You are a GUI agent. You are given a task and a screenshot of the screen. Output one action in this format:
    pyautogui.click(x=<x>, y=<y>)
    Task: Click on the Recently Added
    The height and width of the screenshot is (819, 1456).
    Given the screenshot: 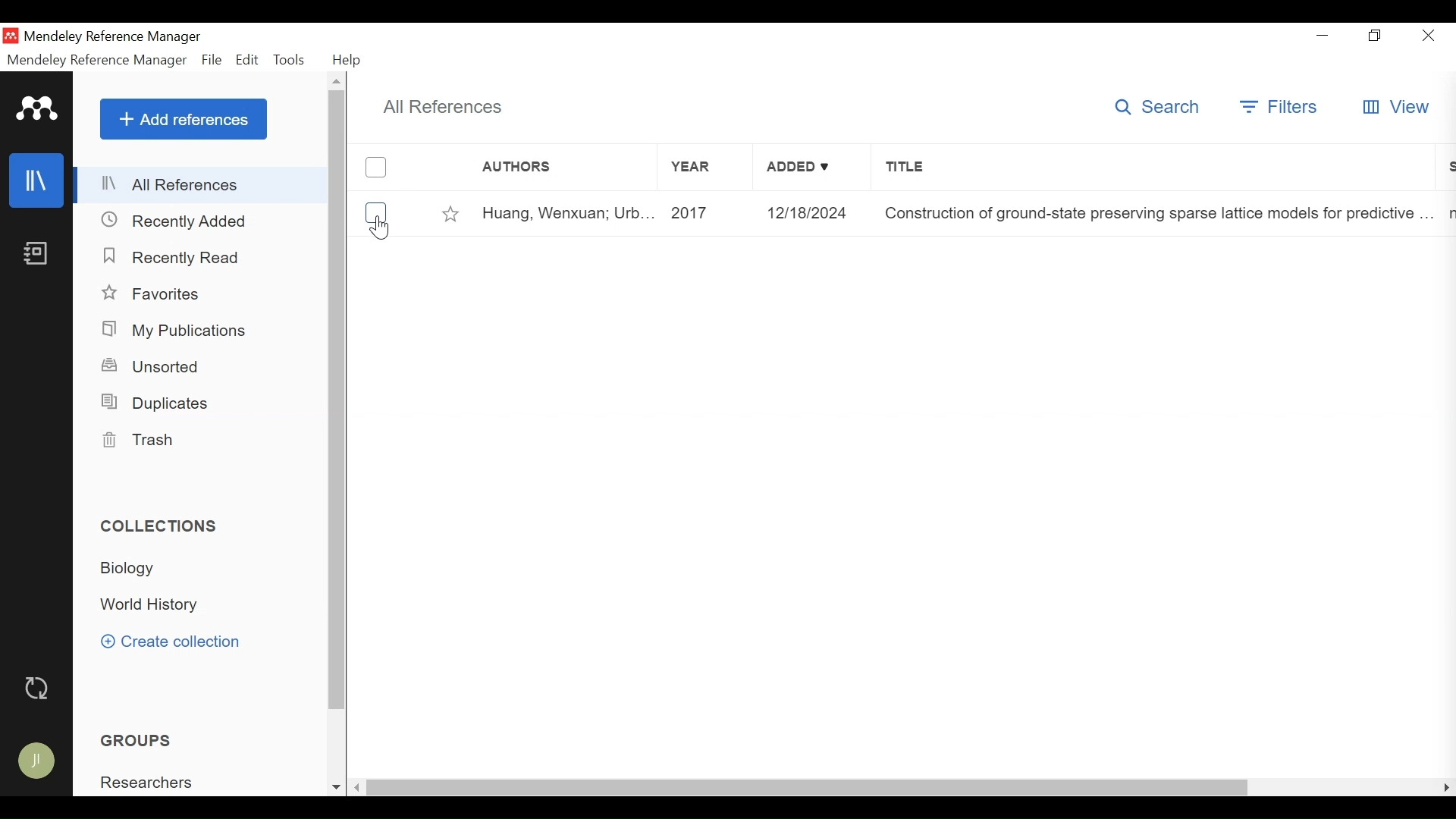 What is the action you would take?
    pyautogui.click(x=174, y=221)
    